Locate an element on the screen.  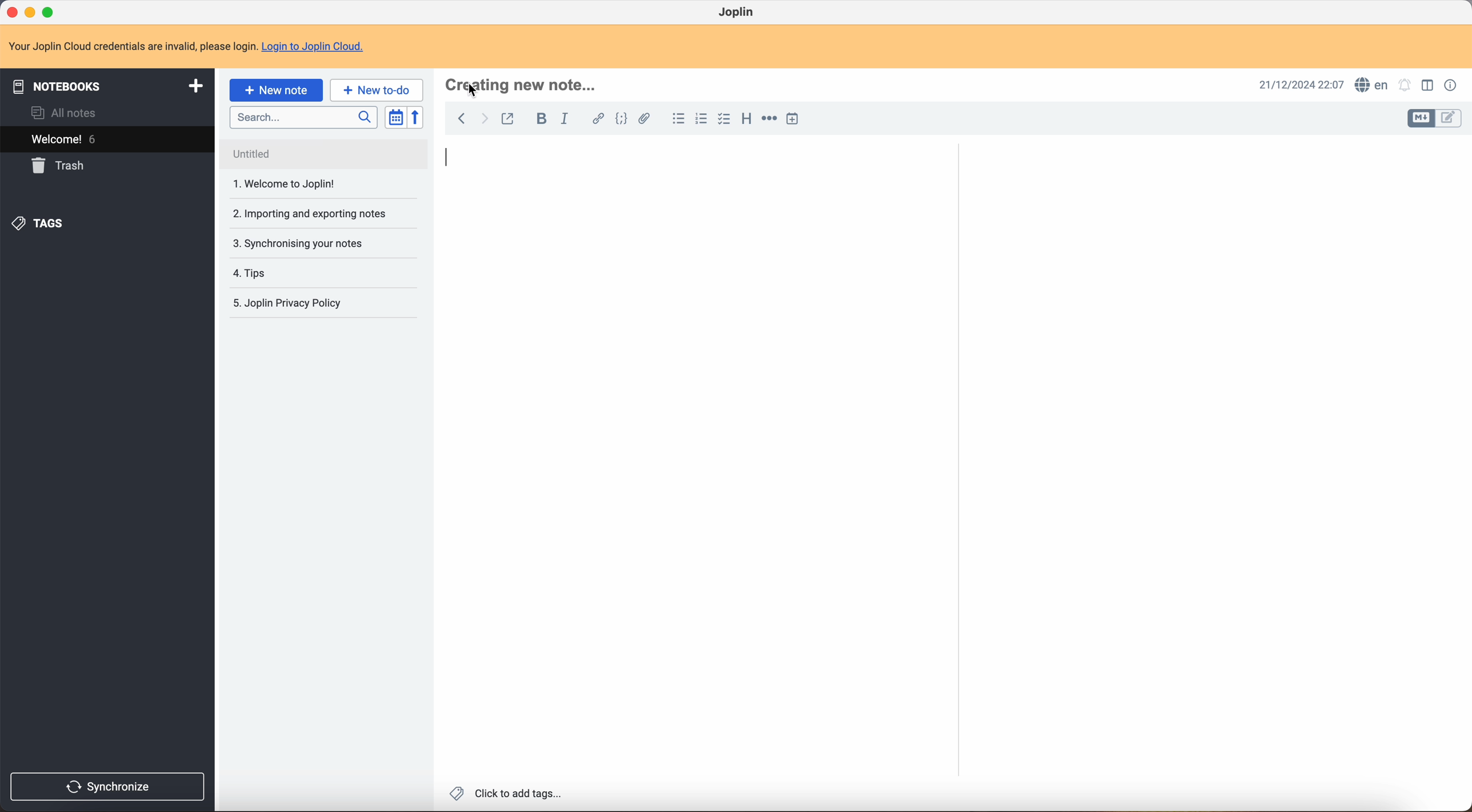
italic is located at coordinates (567, 120).